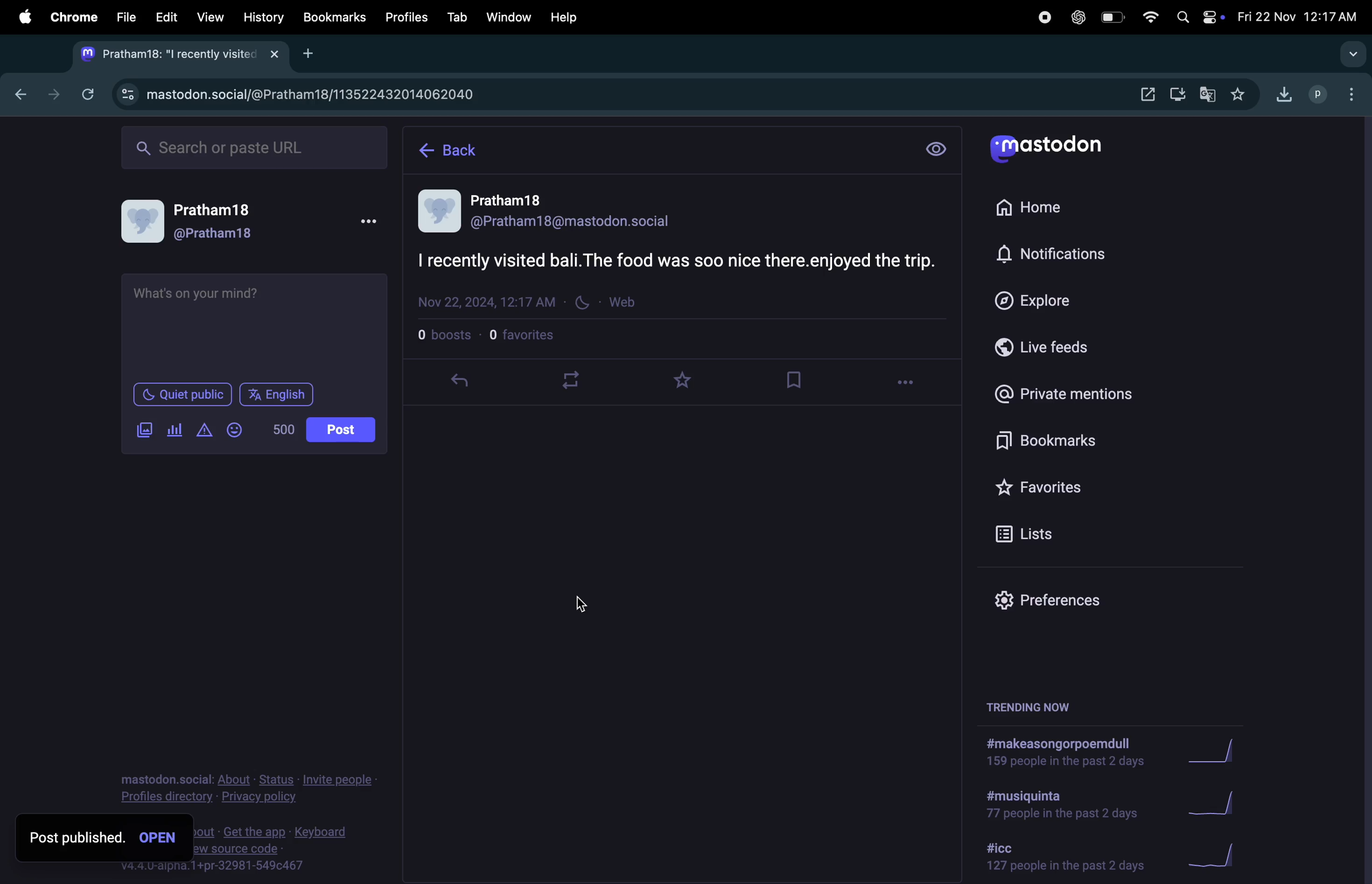 This screenshot has height=884, width=1372. Describe the element at coordinates (253, 148) in the screenshot. I see `search bar` at that location.